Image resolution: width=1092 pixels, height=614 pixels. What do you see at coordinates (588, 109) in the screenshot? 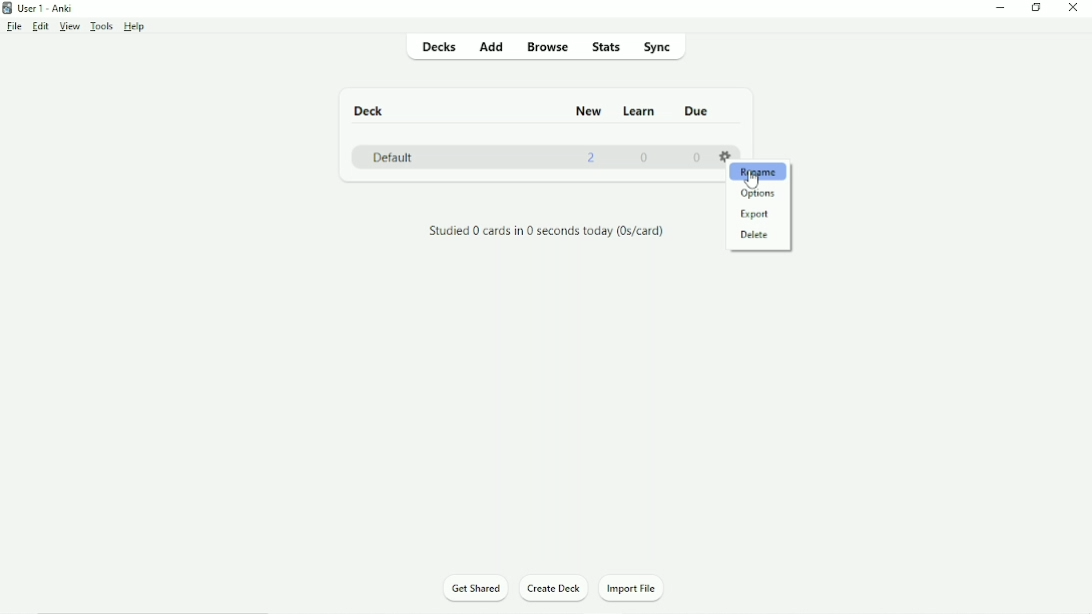
I see `New` at bounding box center [588, 109].